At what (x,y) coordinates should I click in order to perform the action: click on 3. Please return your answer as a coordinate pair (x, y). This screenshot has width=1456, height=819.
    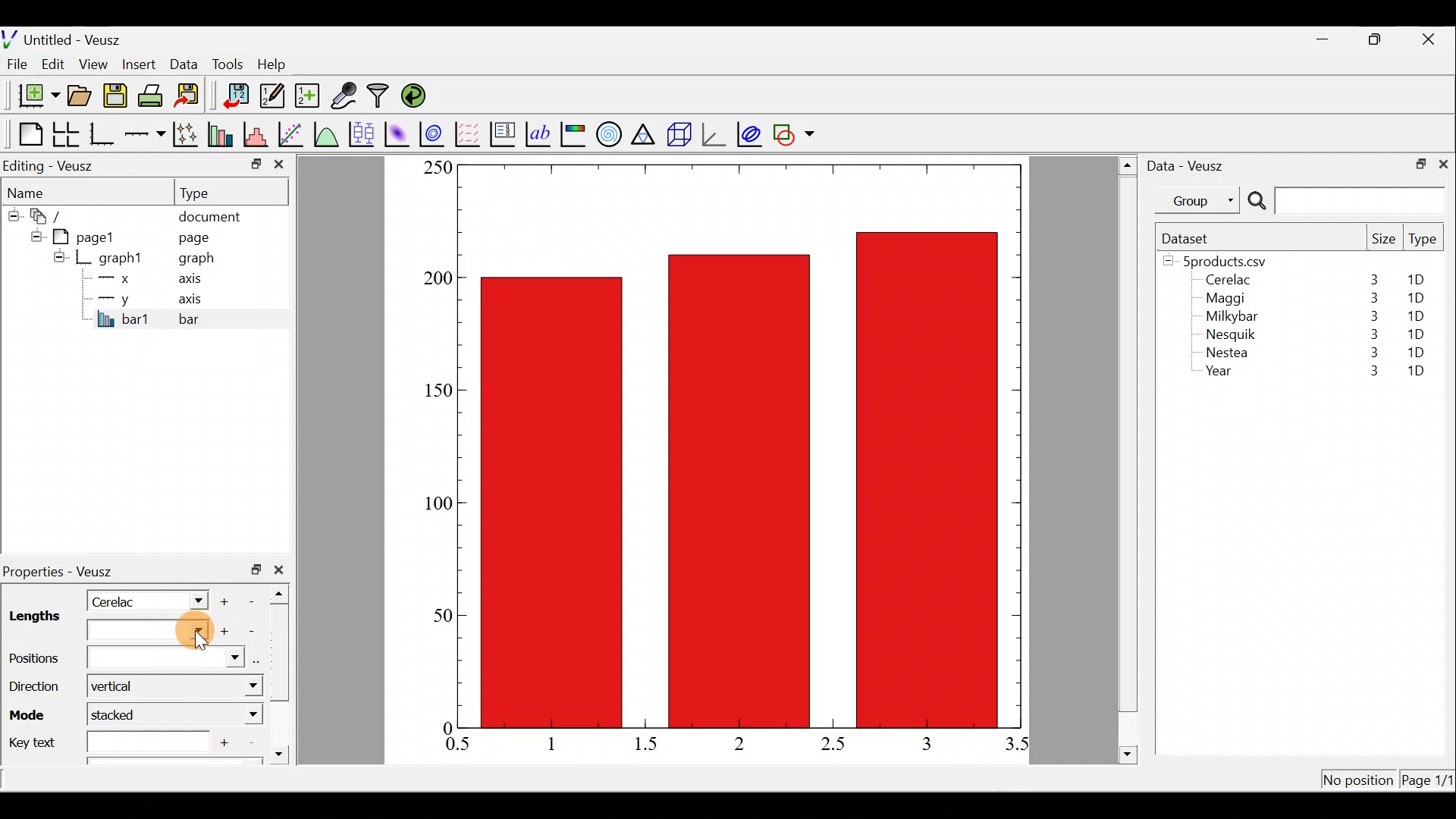
    Looking at the image, I should click on (1366, 372).